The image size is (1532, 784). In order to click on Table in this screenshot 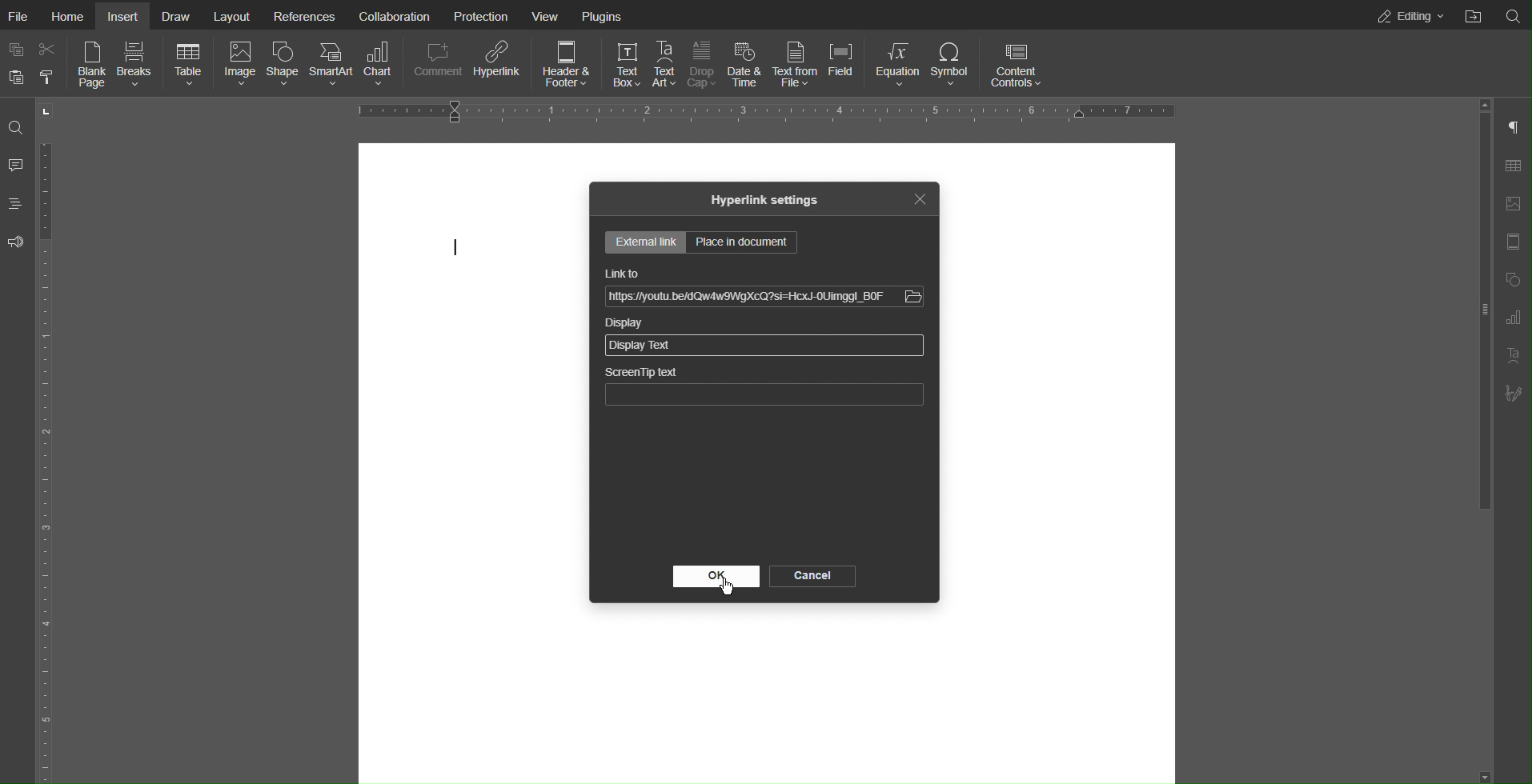, I will do `click(190, 65)`.